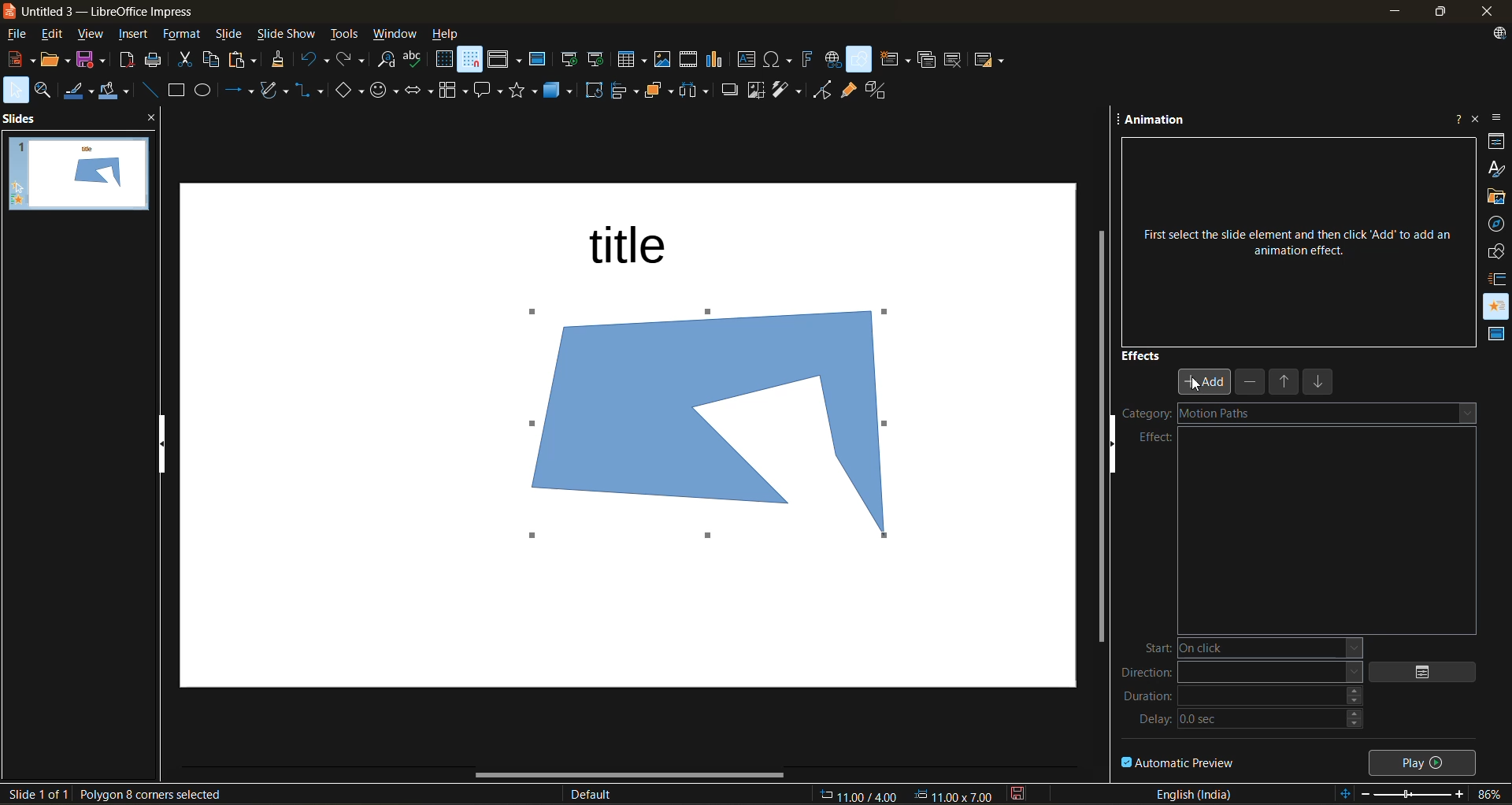  What do you see at coordinates (1412, 792) in the screenshot?
I see `zoom slider` at bounding box center [1412, 792].